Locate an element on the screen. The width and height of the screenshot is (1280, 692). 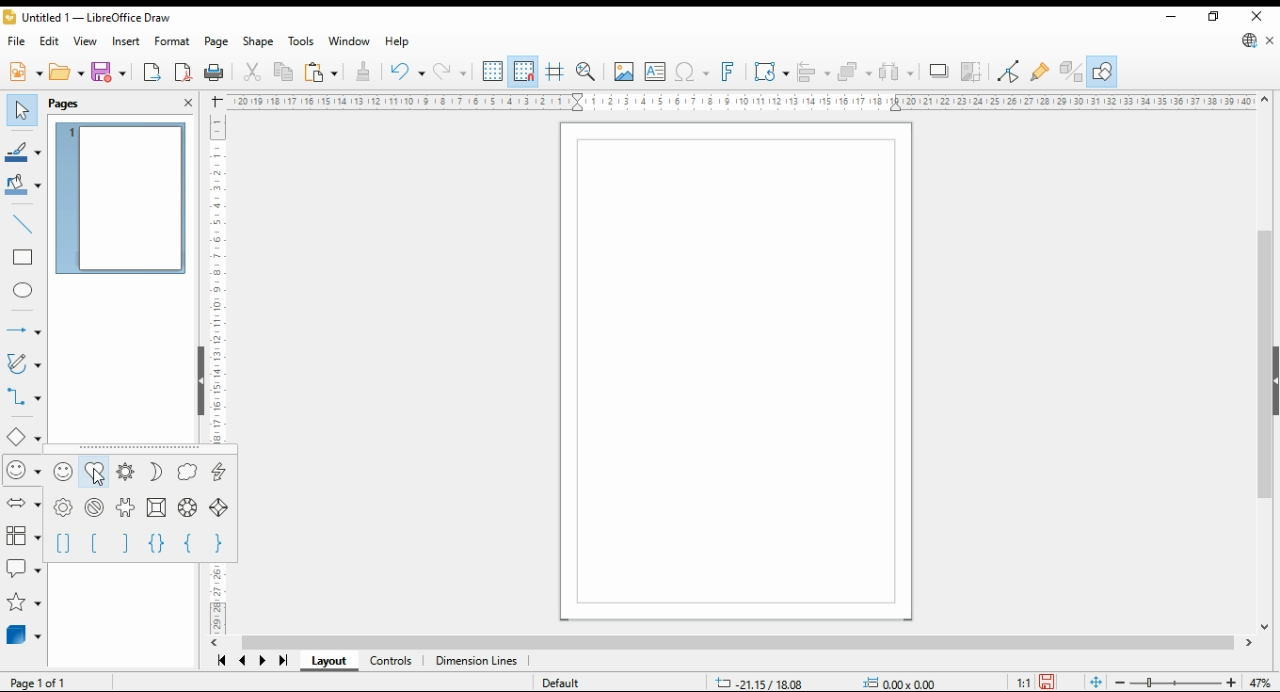
dimension lines is located at coordinates (477, 662).